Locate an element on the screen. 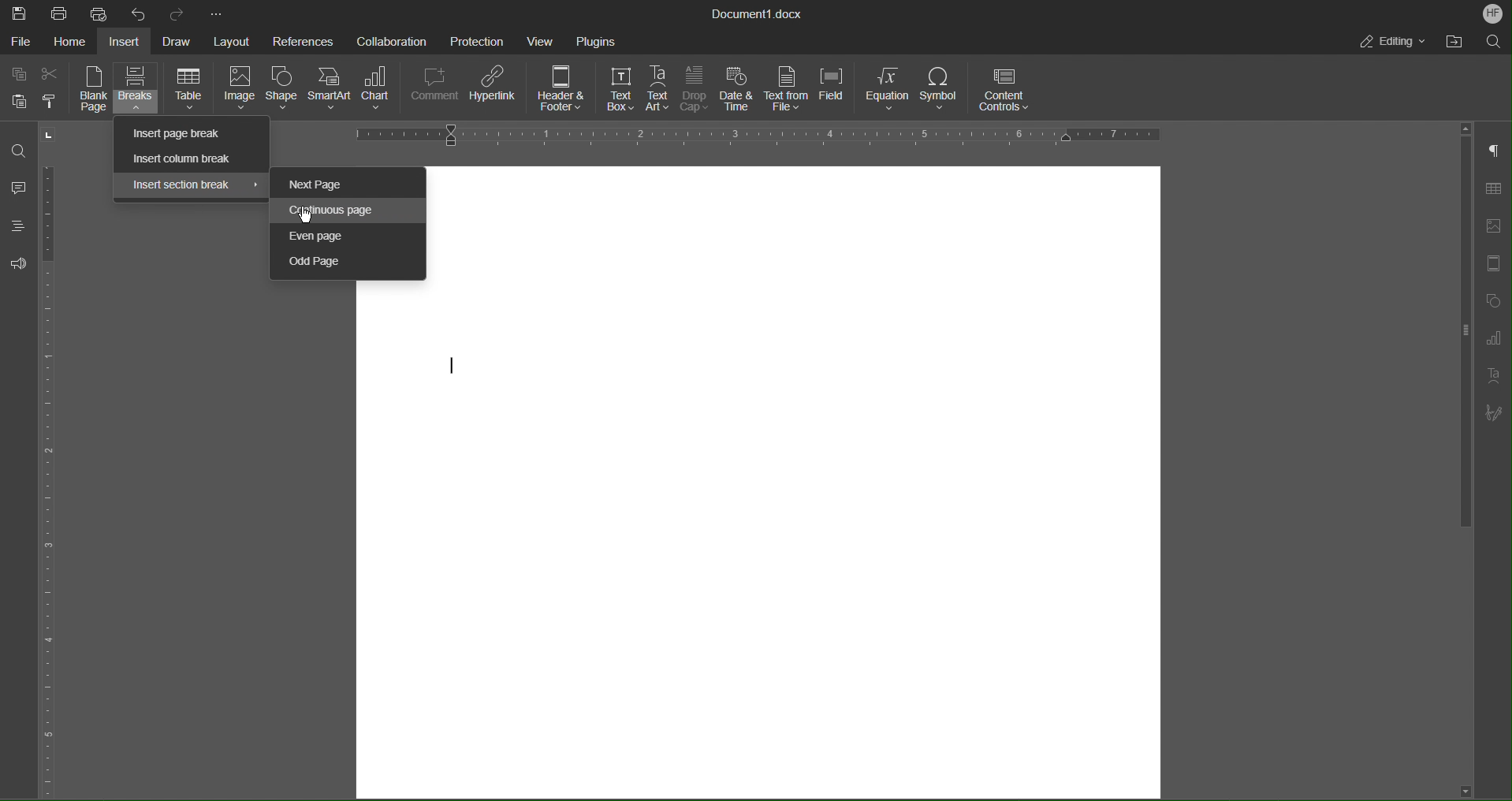 Image resolution: width=1512 pixels, height=801 pixels. Open File Location is located at coordinates (1459, 42).